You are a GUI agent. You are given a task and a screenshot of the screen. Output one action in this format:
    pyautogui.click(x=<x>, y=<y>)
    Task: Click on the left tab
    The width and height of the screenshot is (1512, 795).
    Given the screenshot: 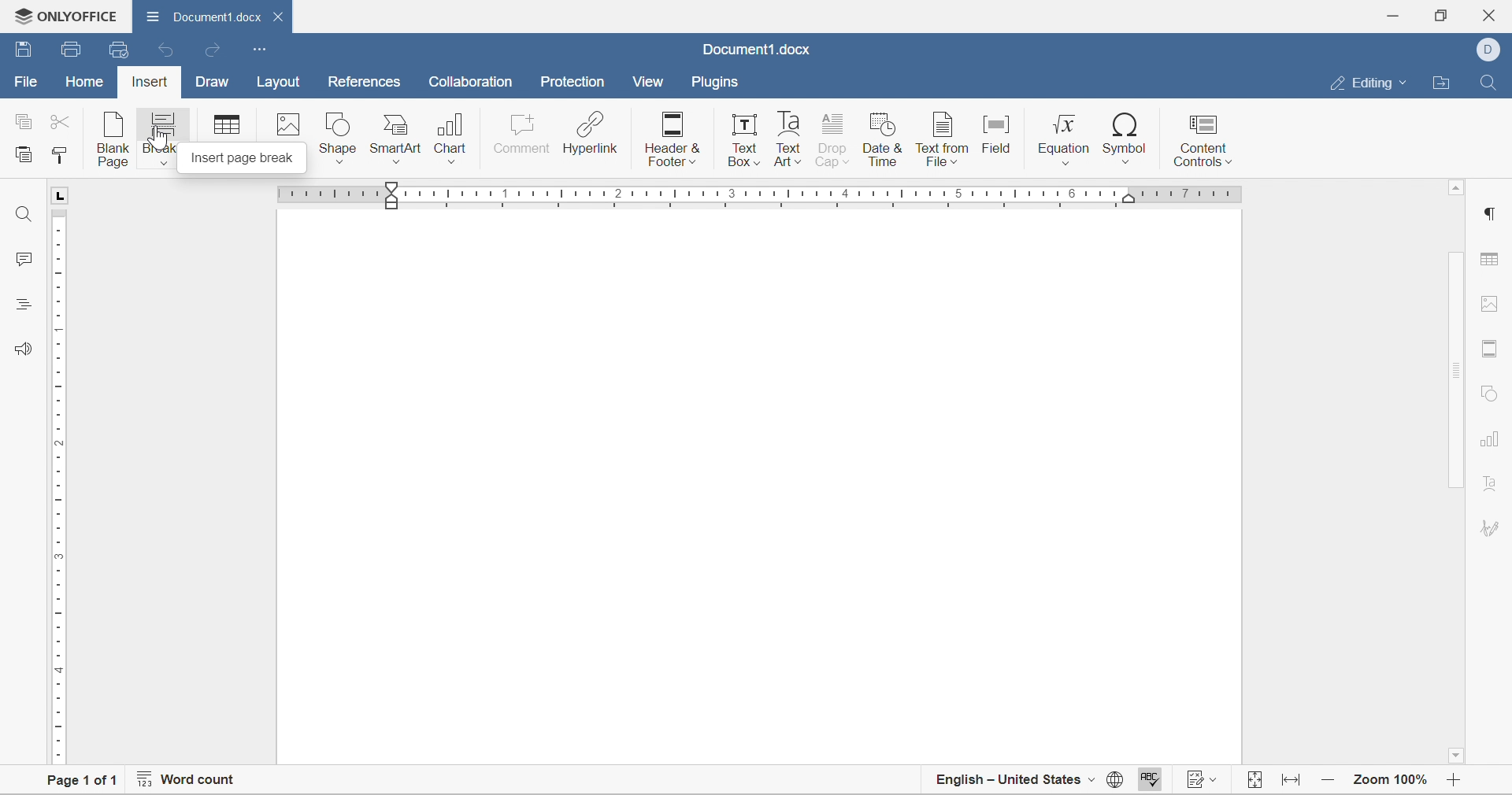 What is the action you would take?
    pyautogui.click(x=66, y=194)
    